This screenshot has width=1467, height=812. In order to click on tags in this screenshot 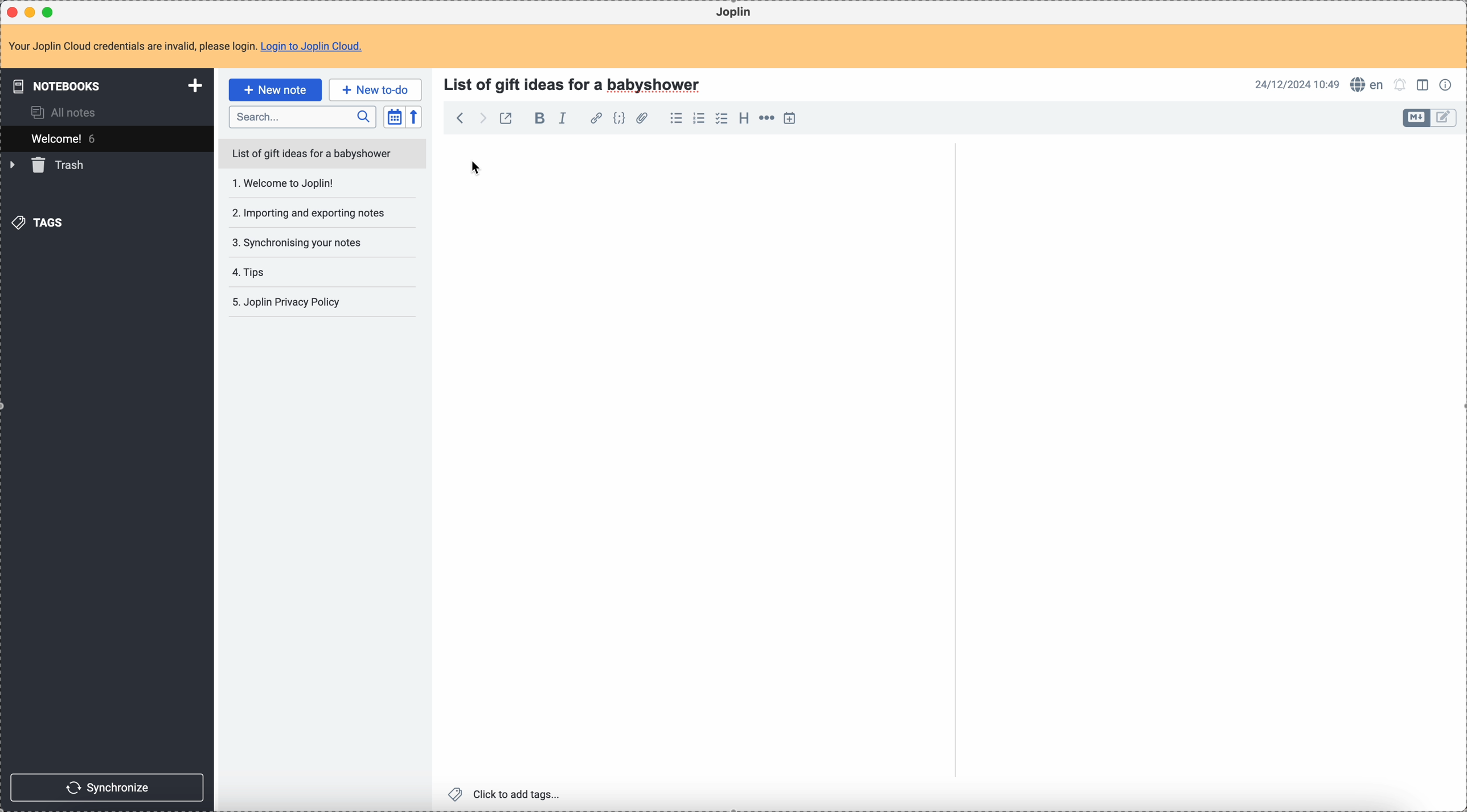, I will do `click(37, 223)`.